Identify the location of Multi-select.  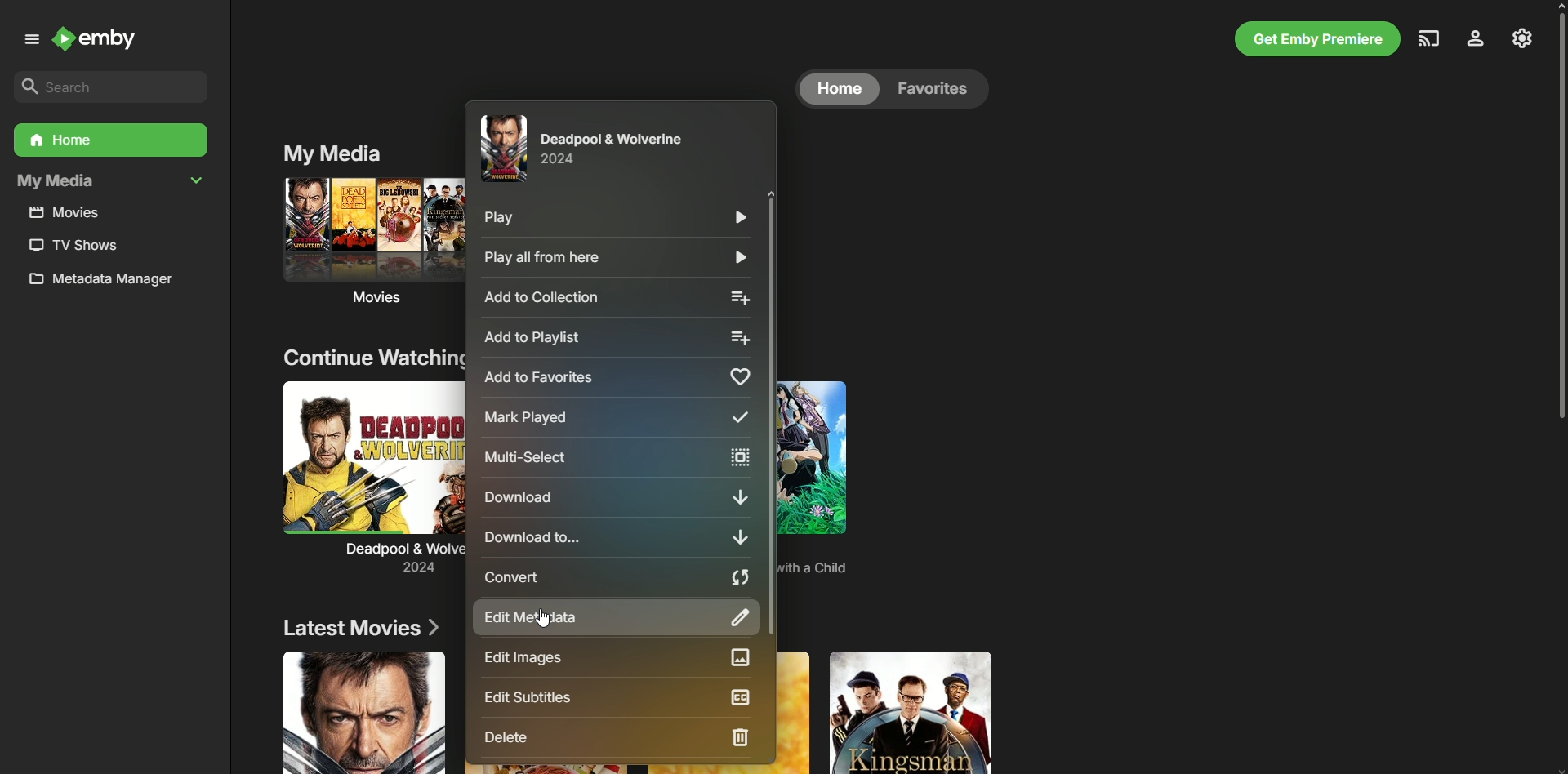
(623, 456).